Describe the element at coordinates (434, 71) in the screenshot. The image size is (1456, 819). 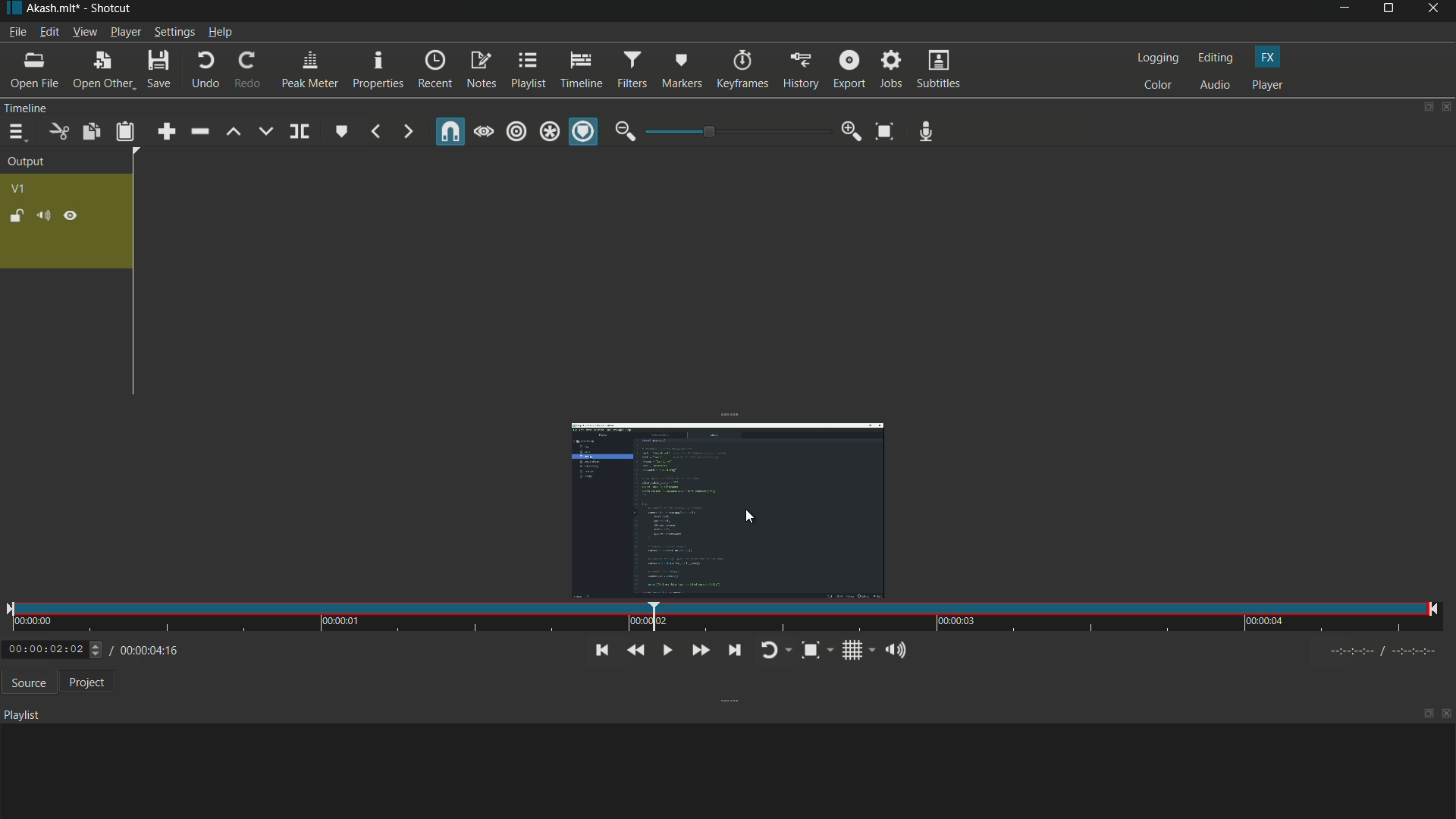
I see `recent` at that location.